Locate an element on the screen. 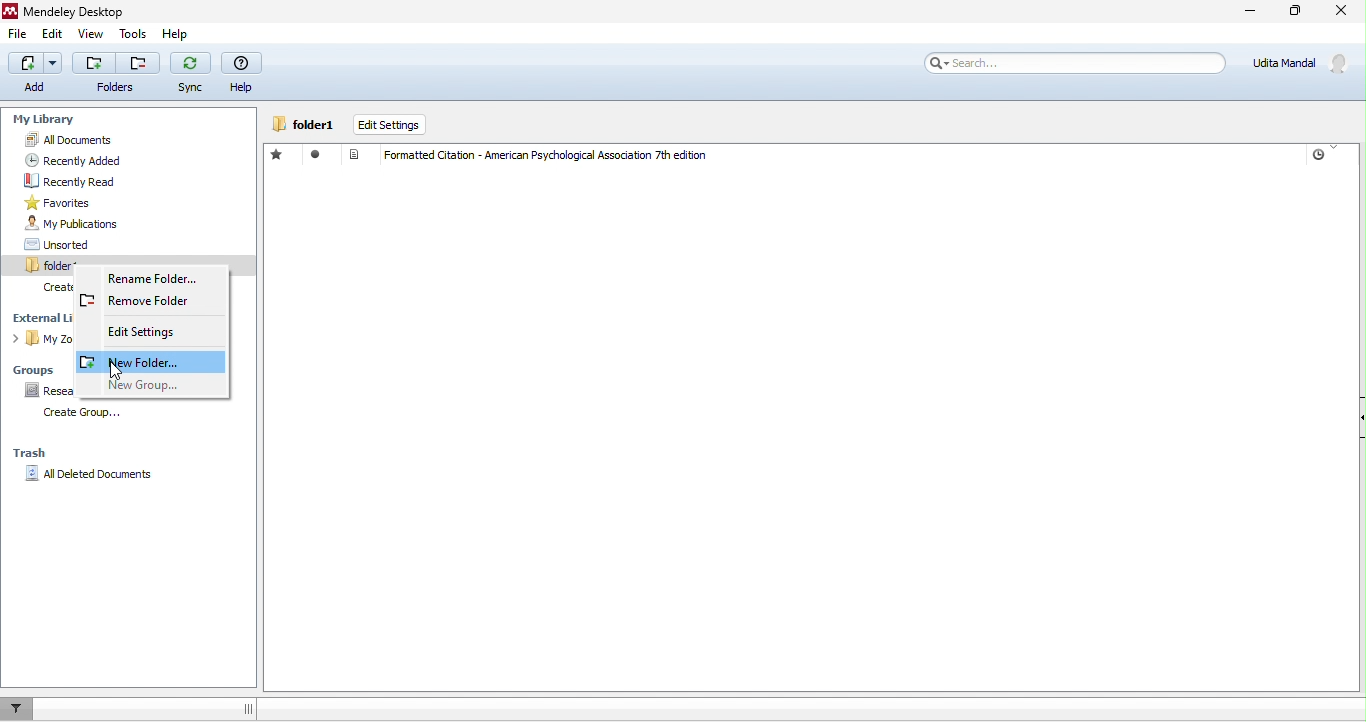 This screenshot has width=1366, height=722. help is located at coordinates (176, 34).